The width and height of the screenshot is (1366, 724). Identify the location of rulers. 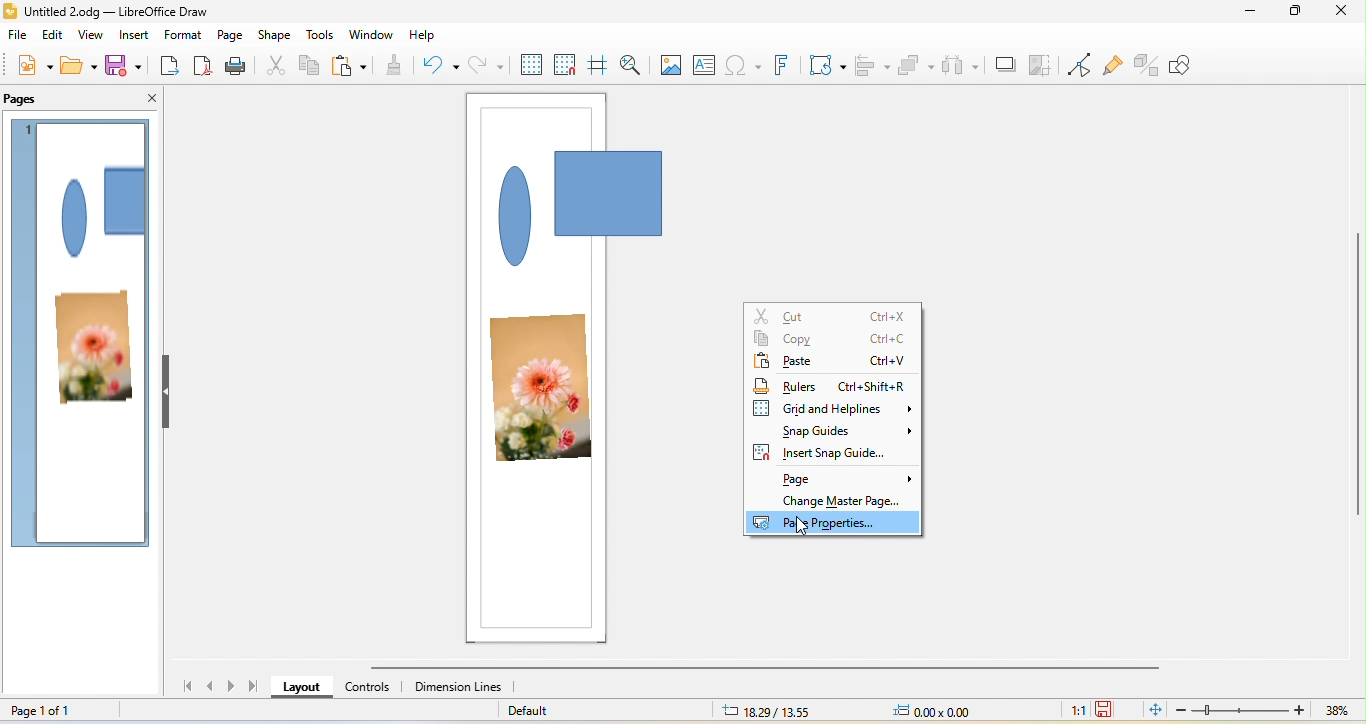
(836, 384).